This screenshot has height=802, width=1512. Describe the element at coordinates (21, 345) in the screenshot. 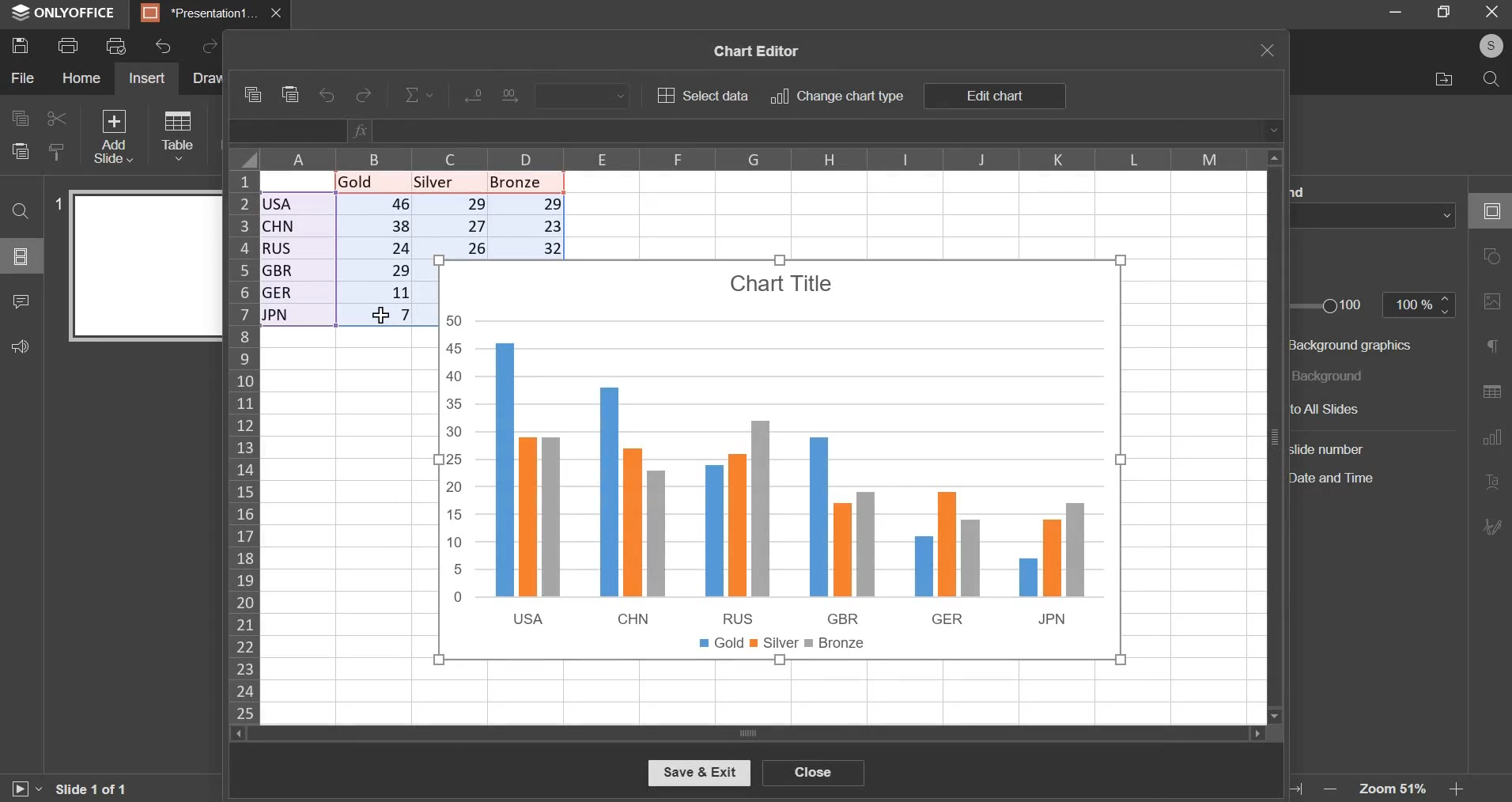

I see `feedback` at that location.